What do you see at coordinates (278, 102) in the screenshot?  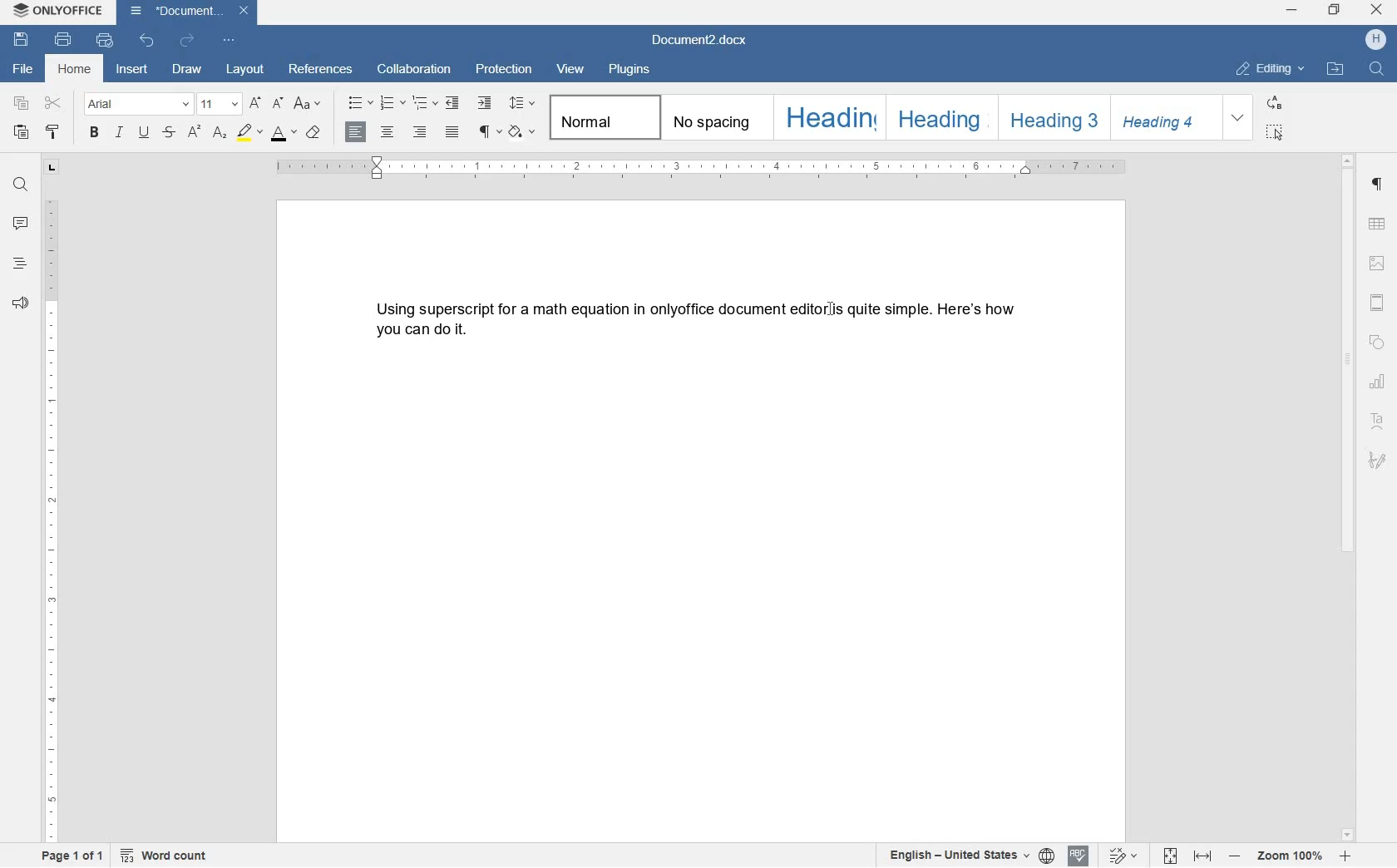 I see `decrement font size` at bounding box center [278, 102].